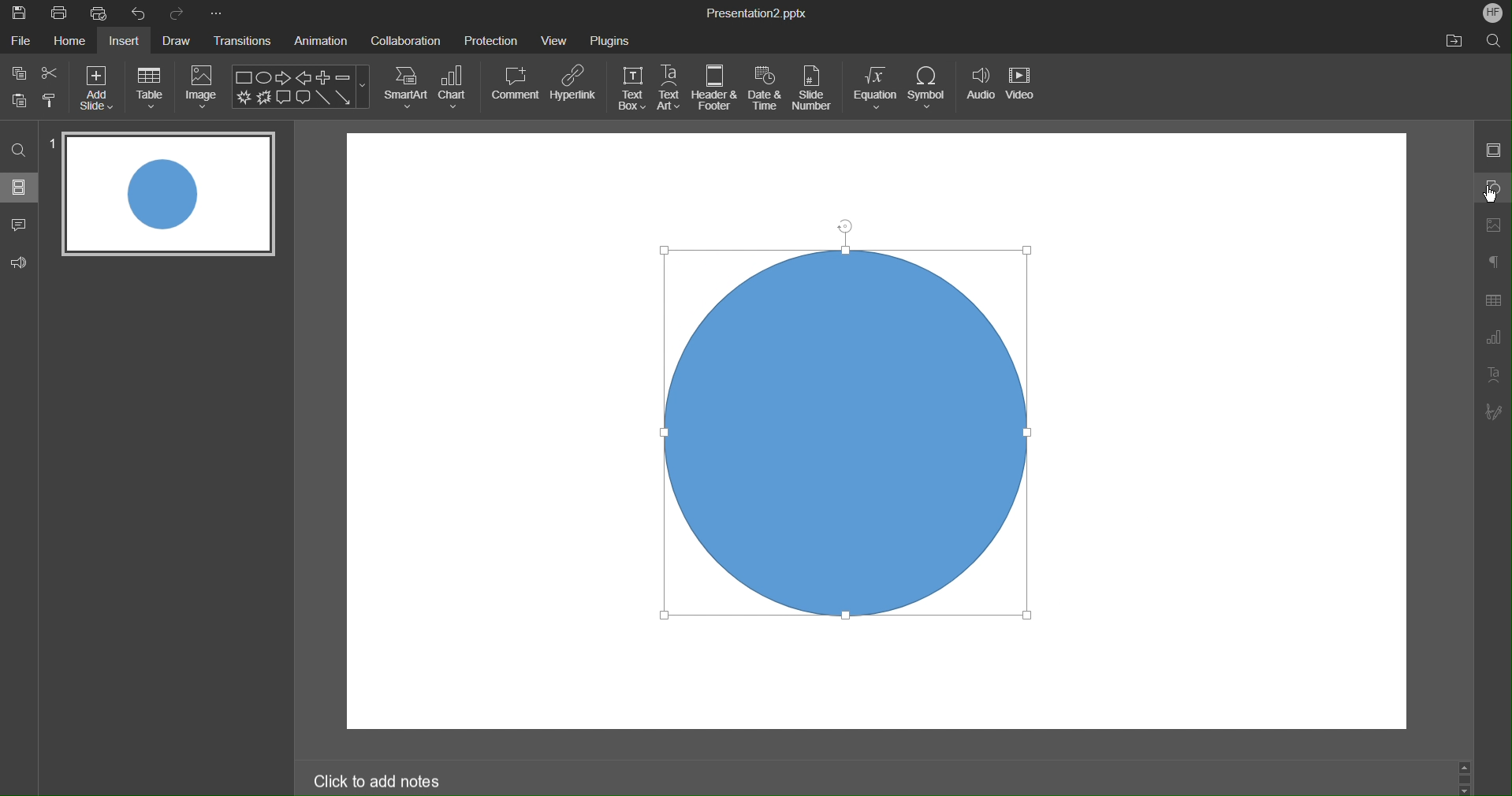  I want to click on Animation, so click(324, 42).